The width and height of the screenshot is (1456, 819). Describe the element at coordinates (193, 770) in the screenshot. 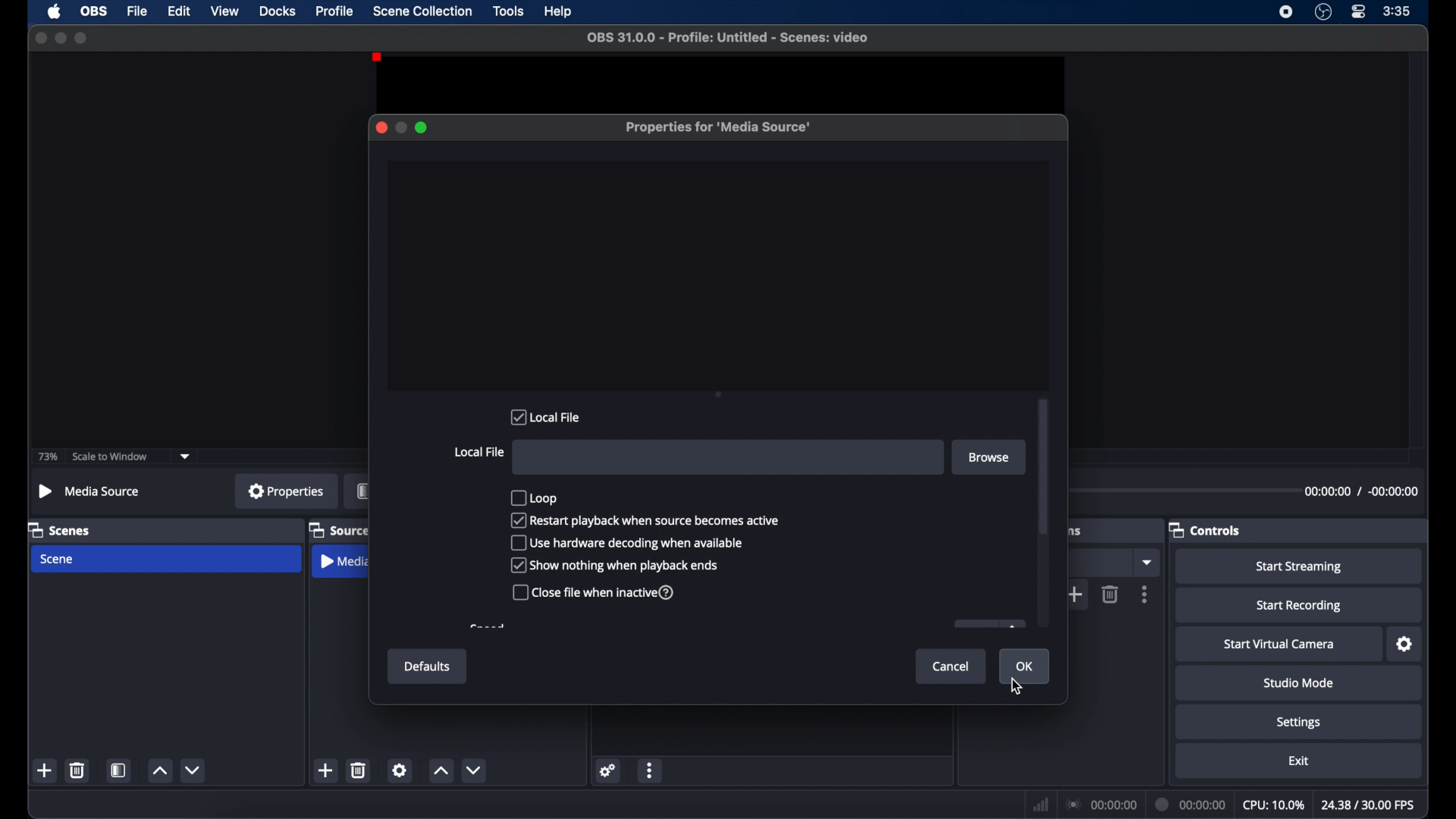

I see `decrement` at that location.